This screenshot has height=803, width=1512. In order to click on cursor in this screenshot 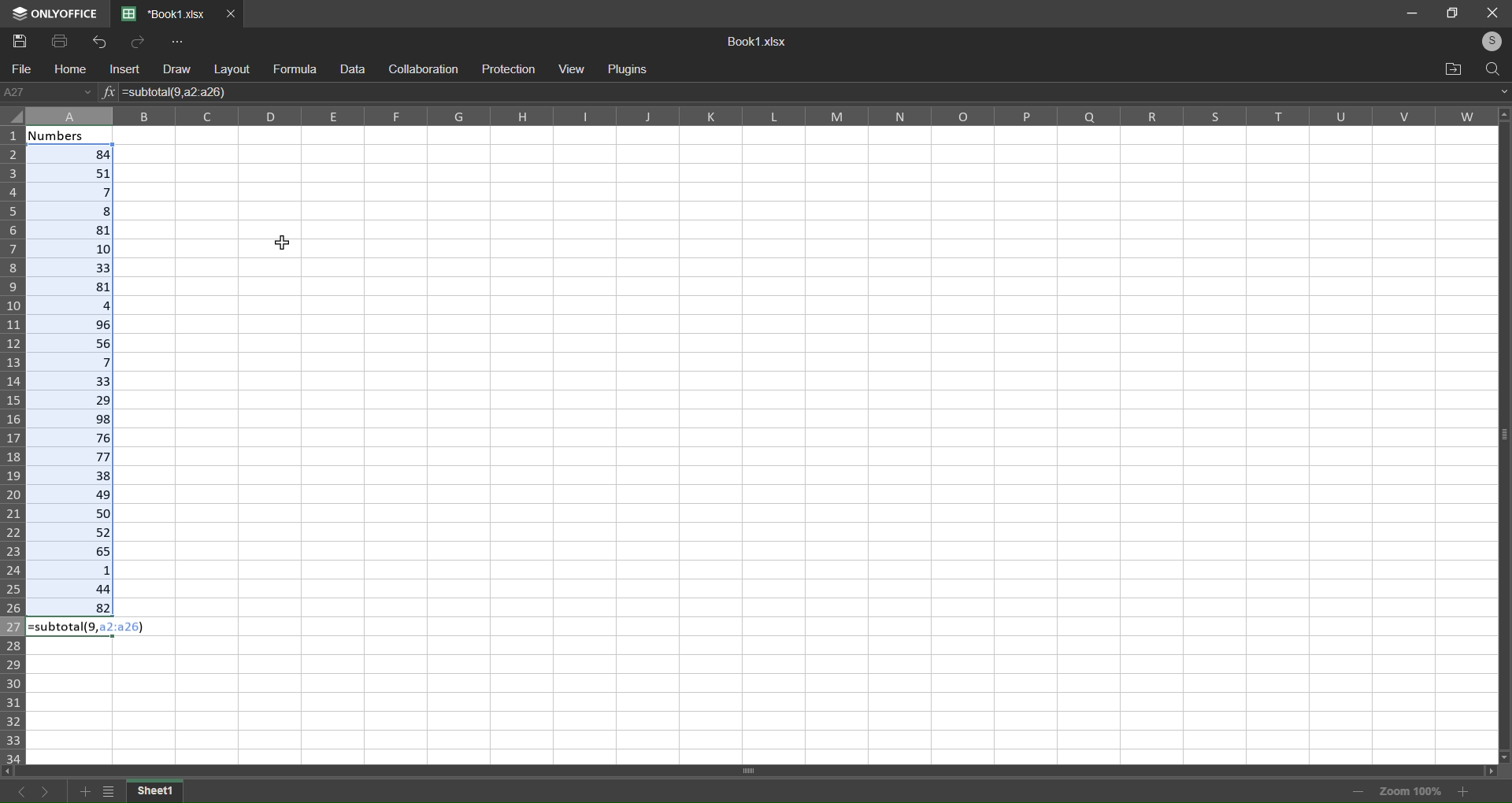, I will do `click(282, 242)`.